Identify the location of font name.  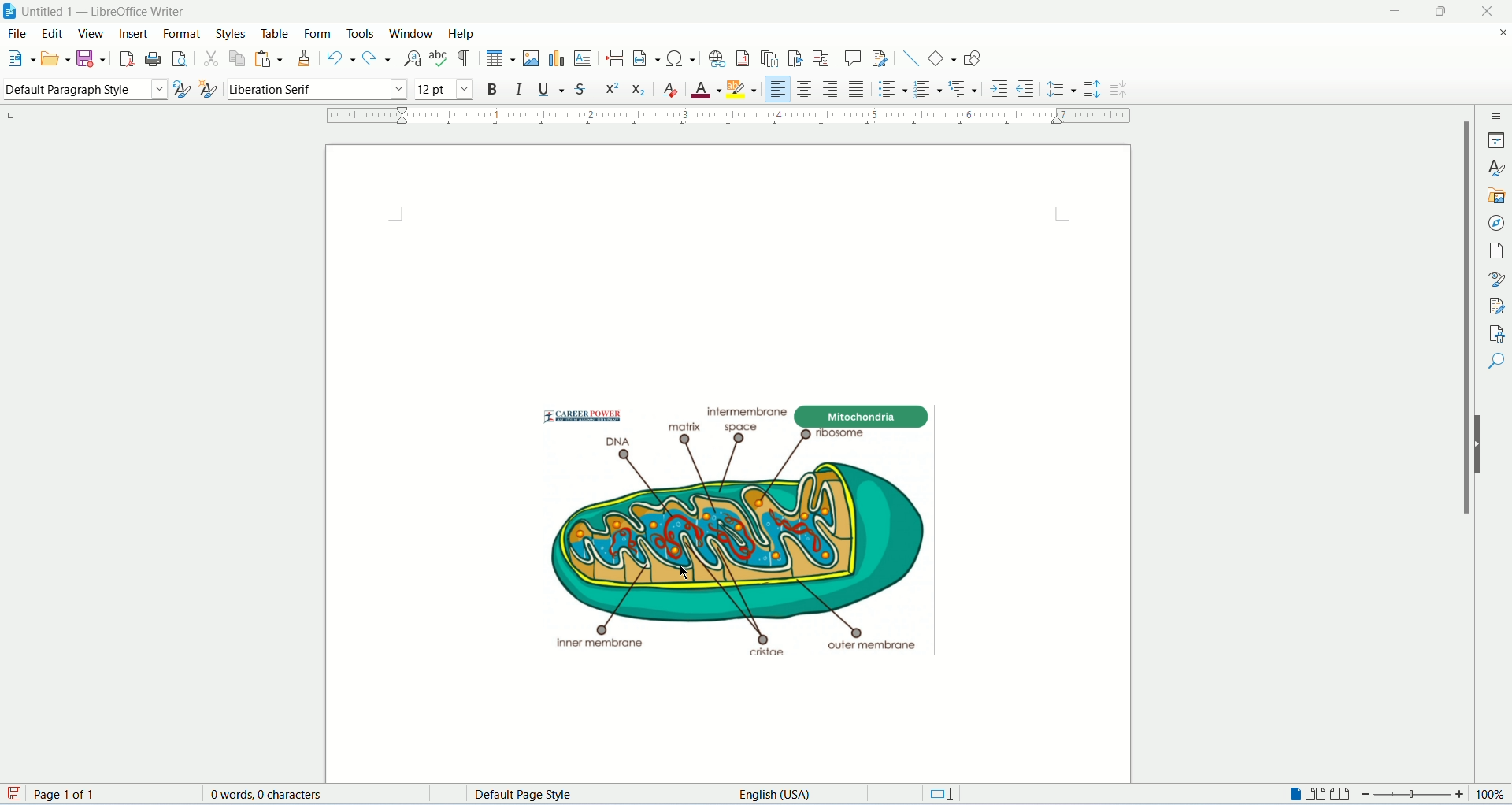
(317, 88).